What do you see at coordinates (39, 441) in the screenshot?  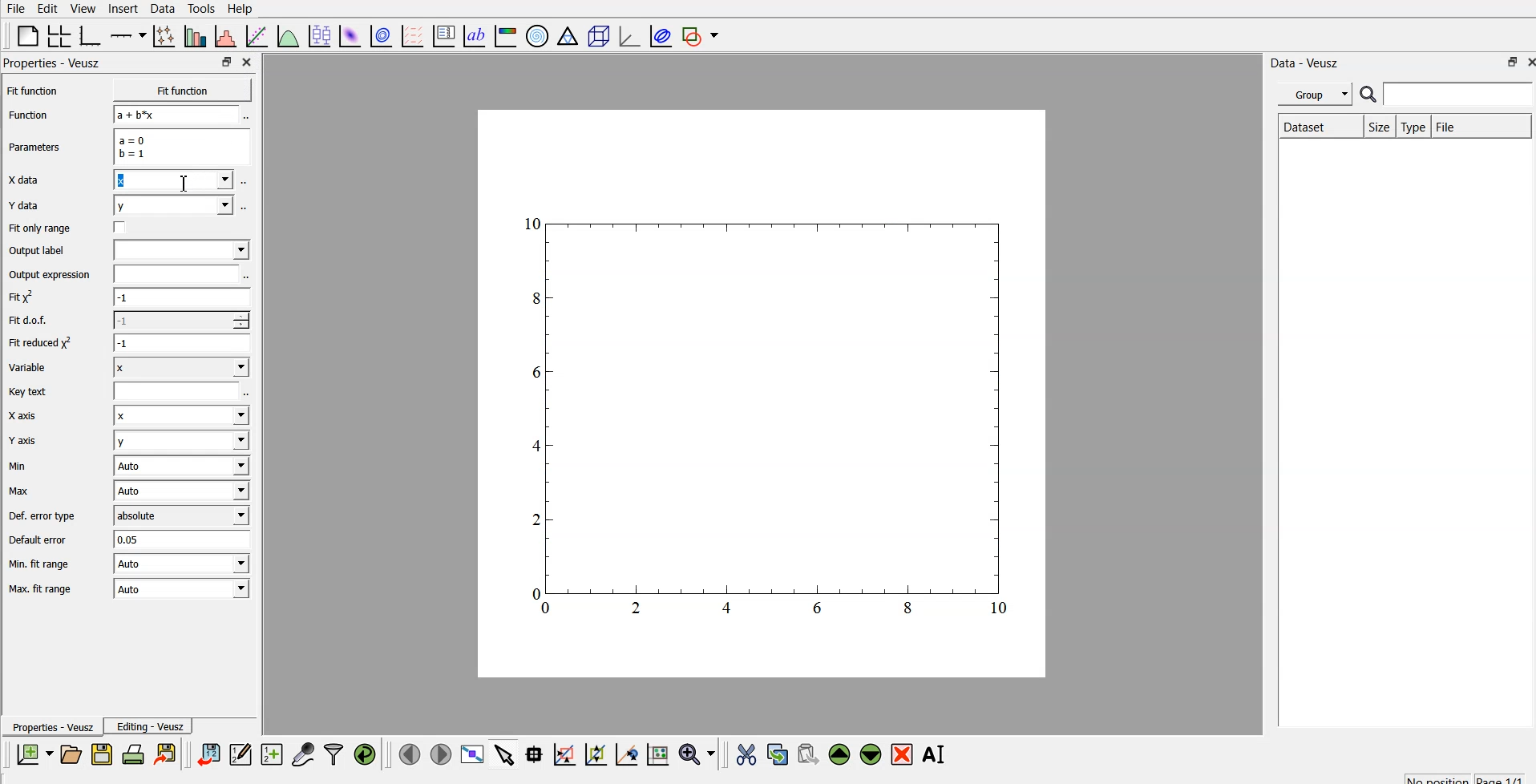 I see `Y axis` at bounding box center [39, 441].